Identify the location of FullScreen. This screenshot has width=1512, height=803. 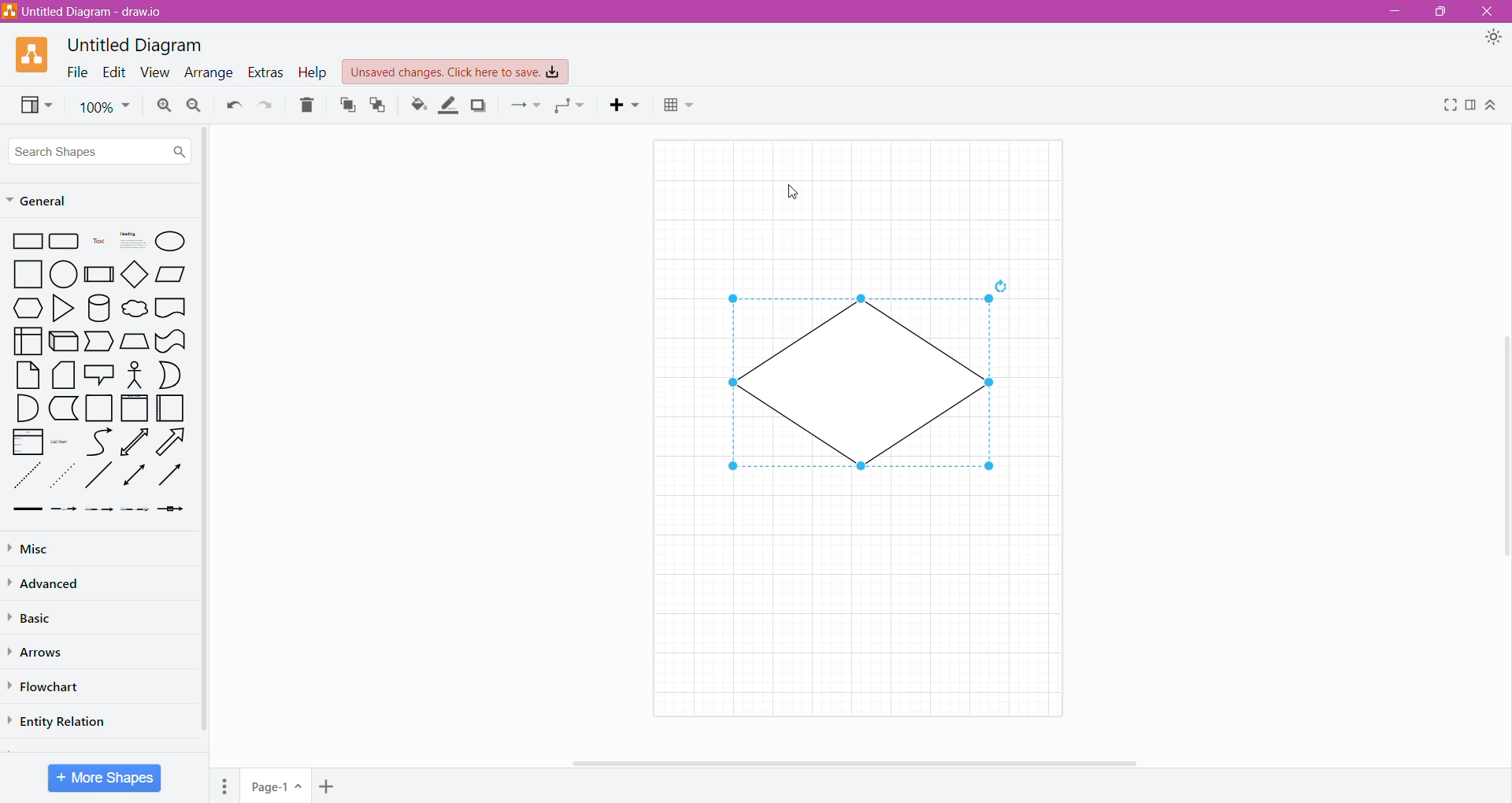
(1447, 105).